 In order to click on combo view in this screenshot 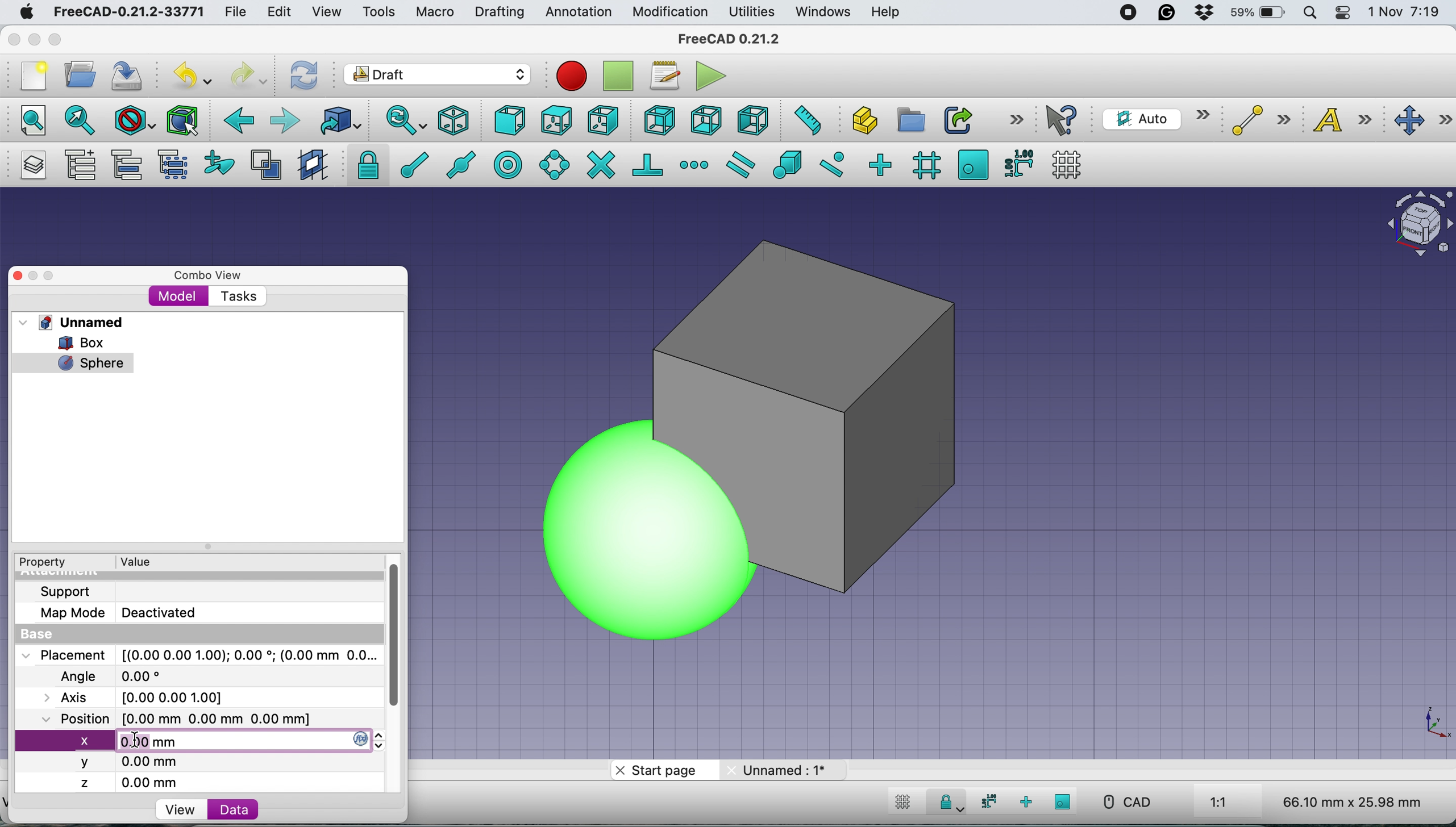, I will do `click(208, 275)`.